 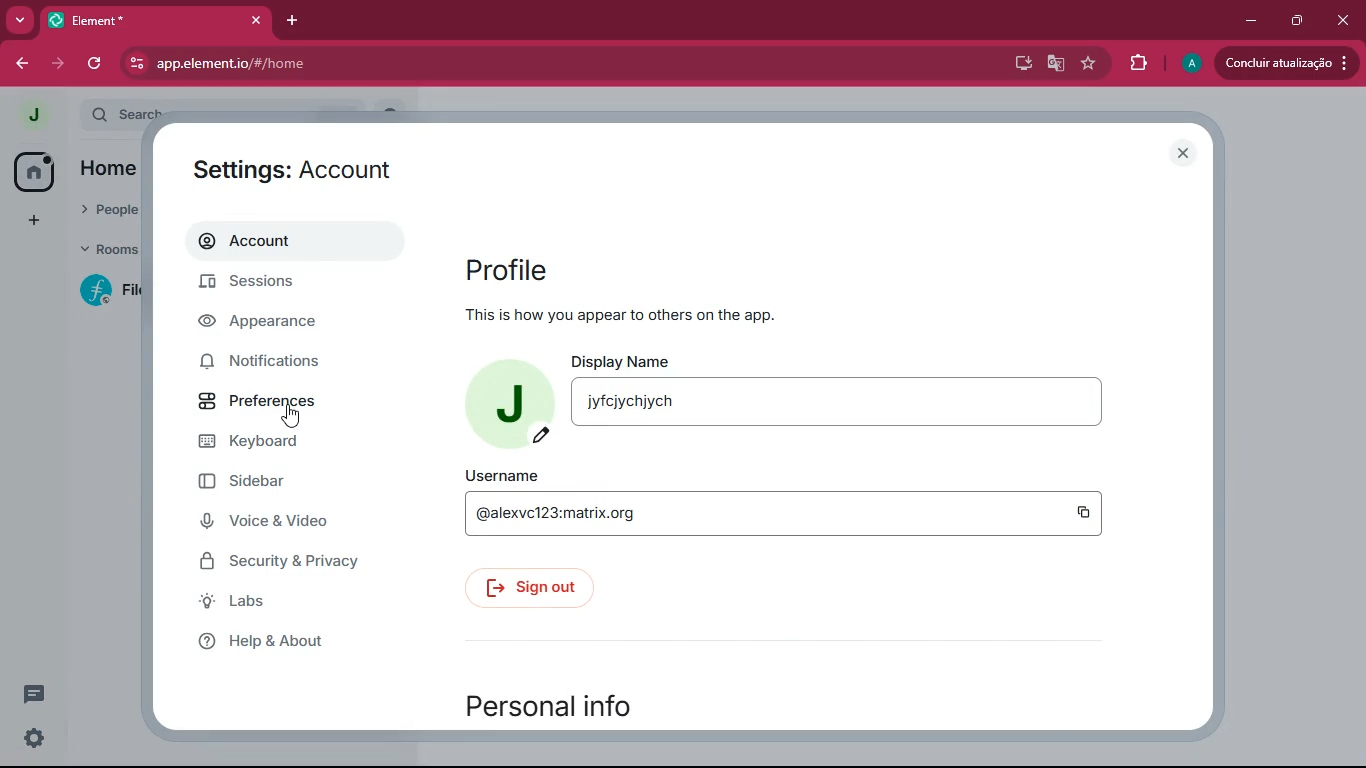 What do you see at coordinates (33, 115) in the screenshot?
I see `profile picture` at bounding box center [33, 115].